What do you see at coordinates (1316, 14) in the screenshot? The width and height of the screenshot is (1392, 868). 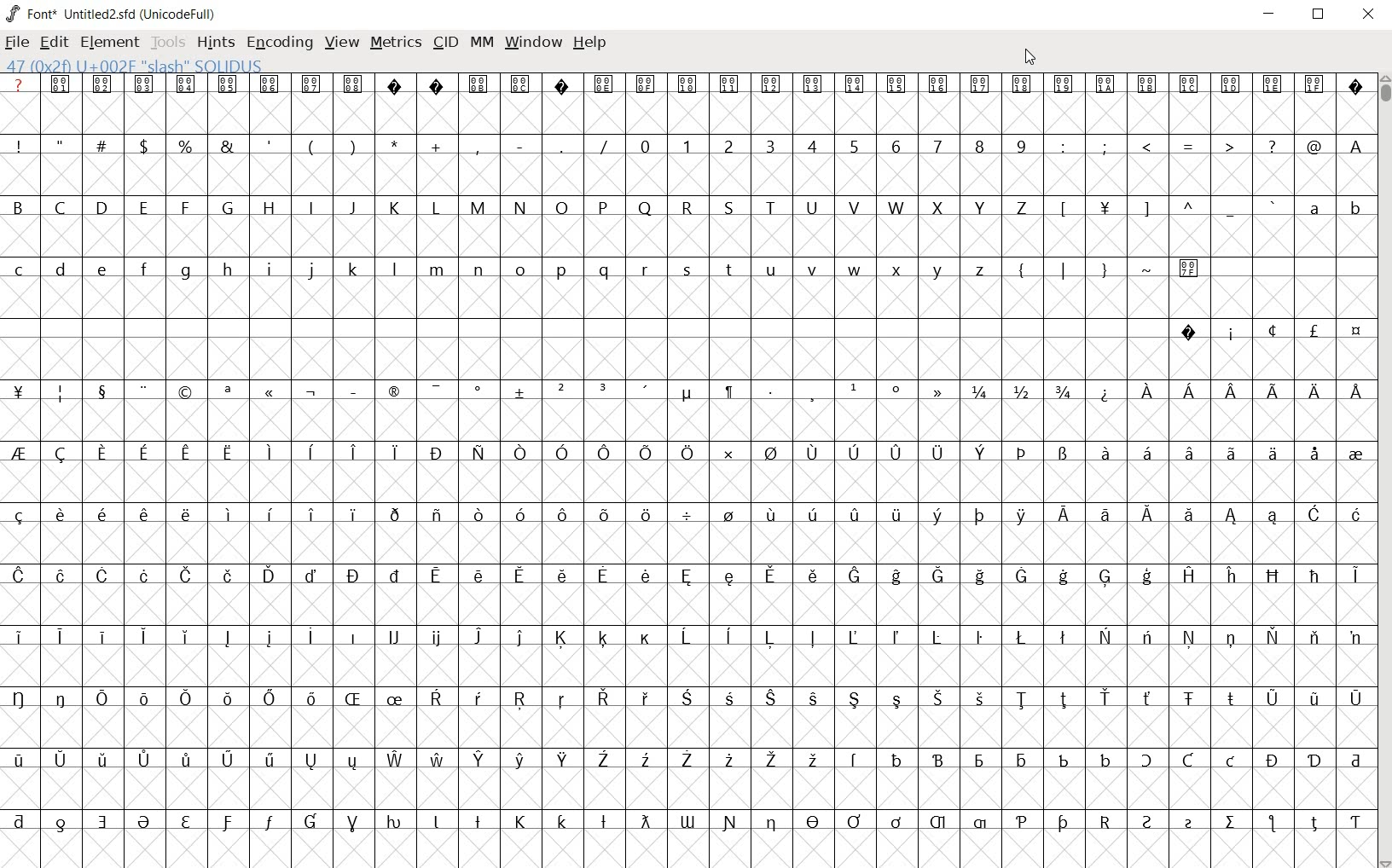 I see `RESTORE` at bounding box center [1316, 14].